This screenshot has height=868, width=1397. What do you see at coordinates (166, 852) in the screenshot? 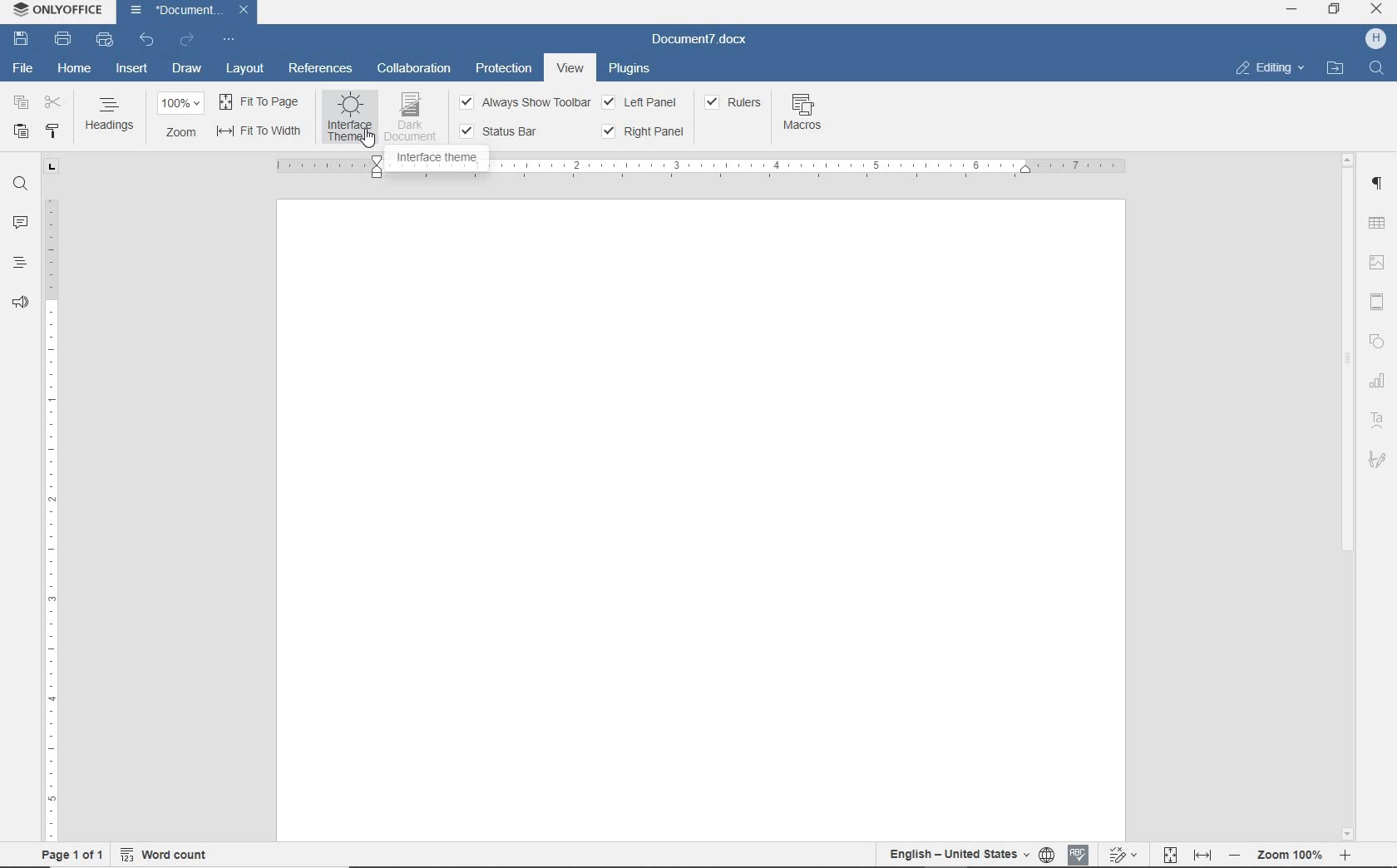
I see `WORD COUNT` at bounding box center [166, 852].